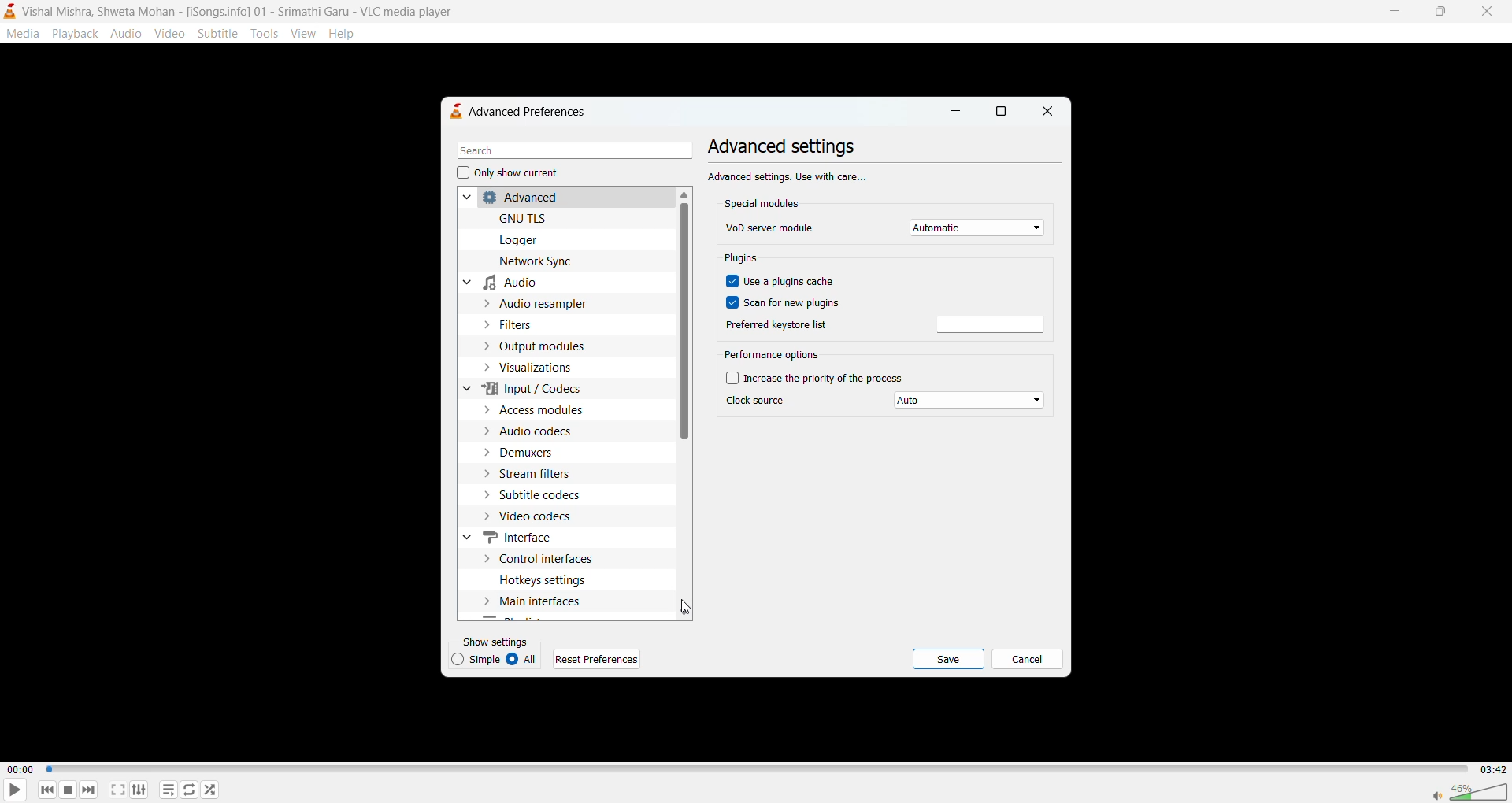 This screenshot has height=803, width=1512. What do you see at coordinates (765, 204) in the screenshot?
I see `special modules` at bounding box center [765, 204].